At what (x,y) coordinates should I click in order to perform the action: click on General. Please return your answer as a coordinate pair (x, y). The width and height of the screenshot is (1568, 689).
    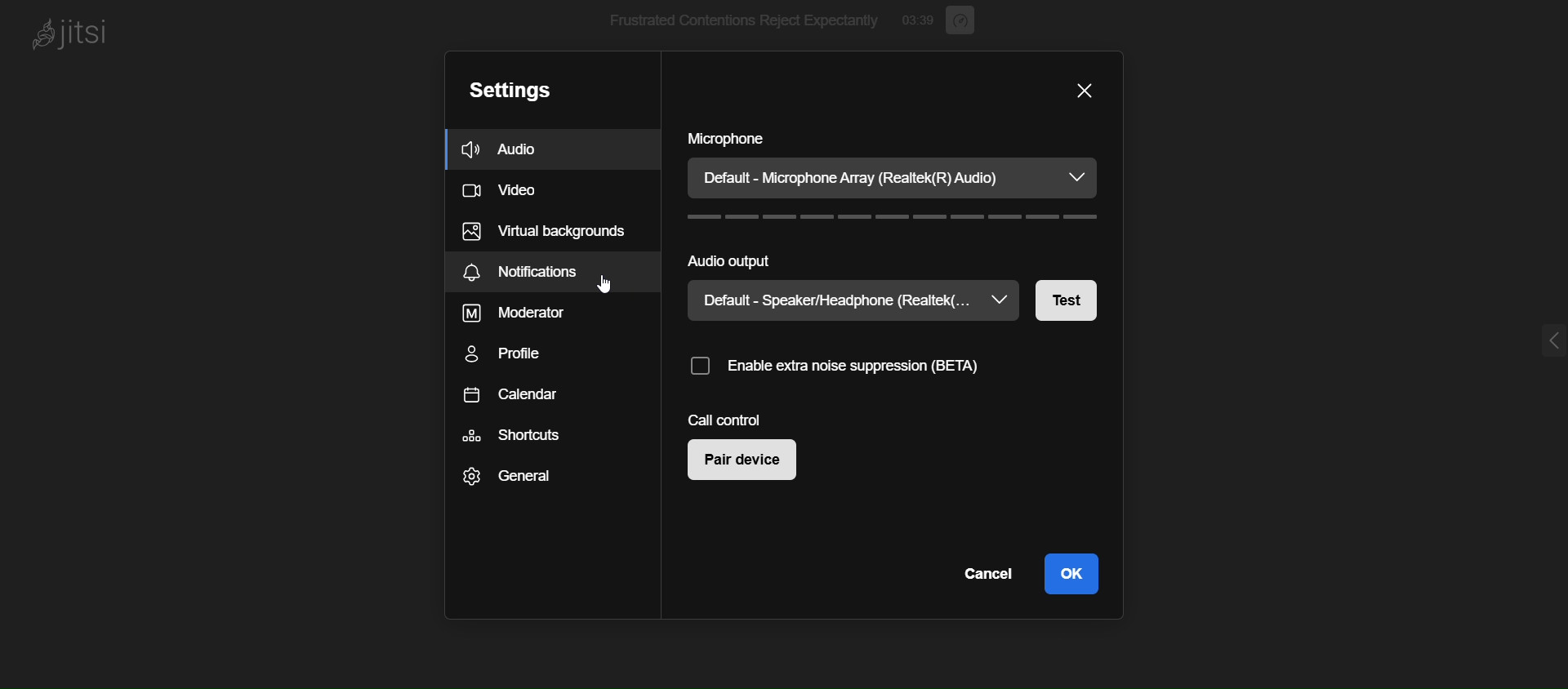
    Looking at the image, I should click on (529, 482).